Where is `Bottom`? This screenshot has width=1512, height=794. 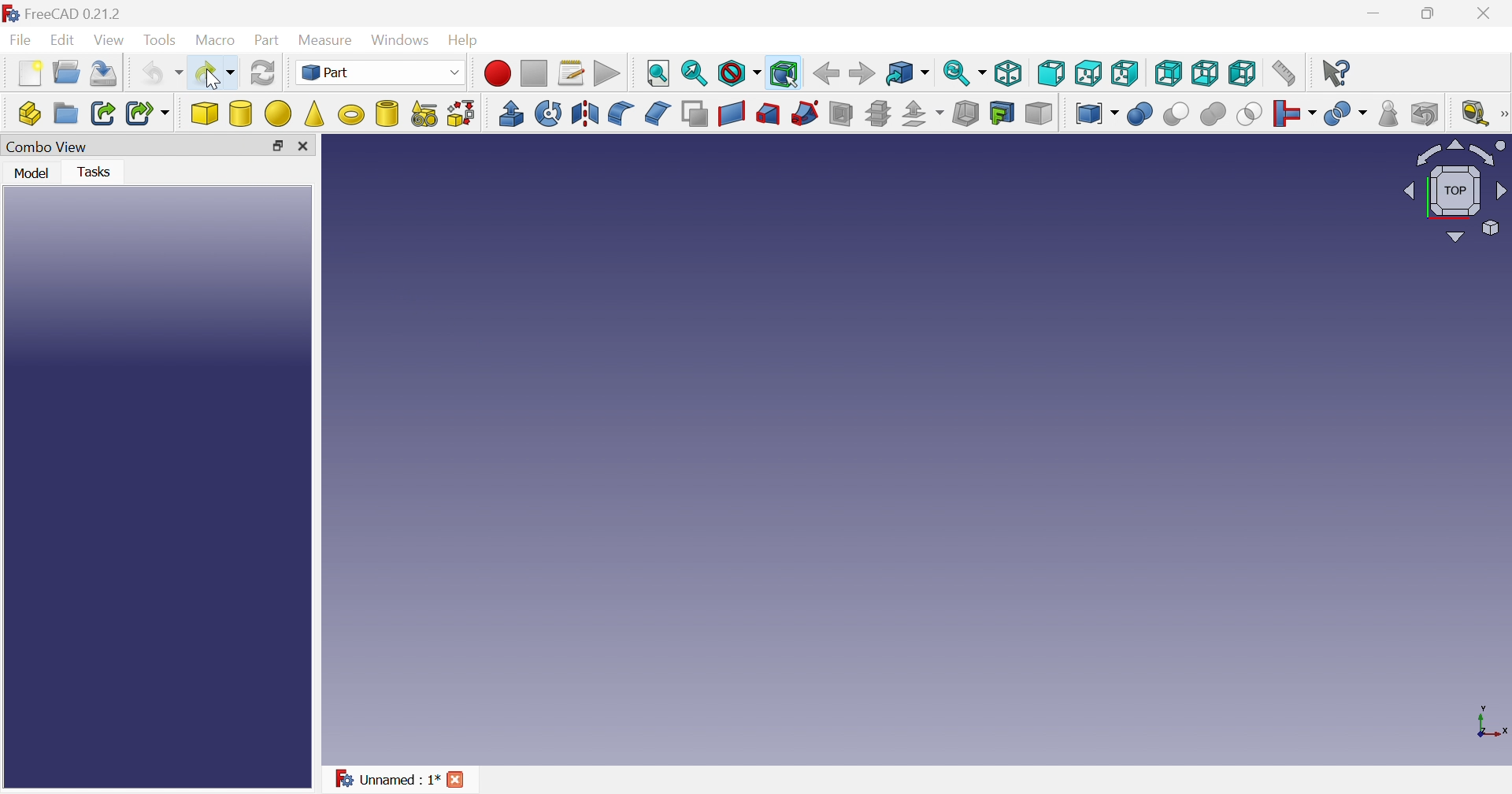
Bottom is located at coordinates (1205, 74).